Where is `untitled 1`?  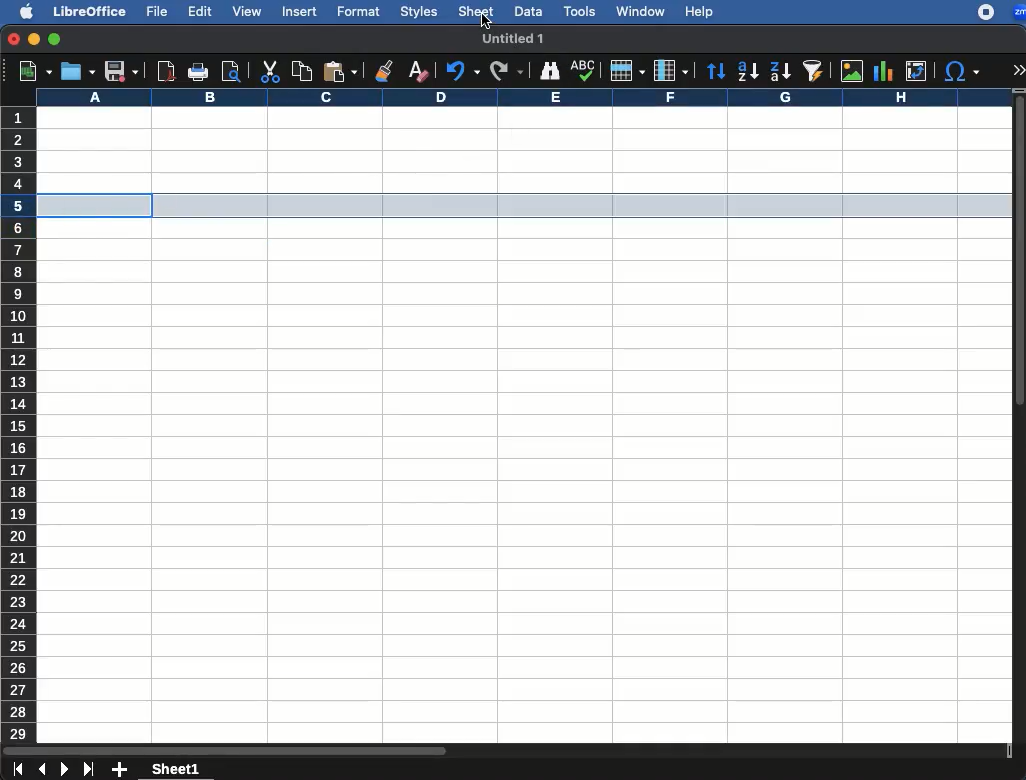
untitled 1 is located at coordinates (514, 37).